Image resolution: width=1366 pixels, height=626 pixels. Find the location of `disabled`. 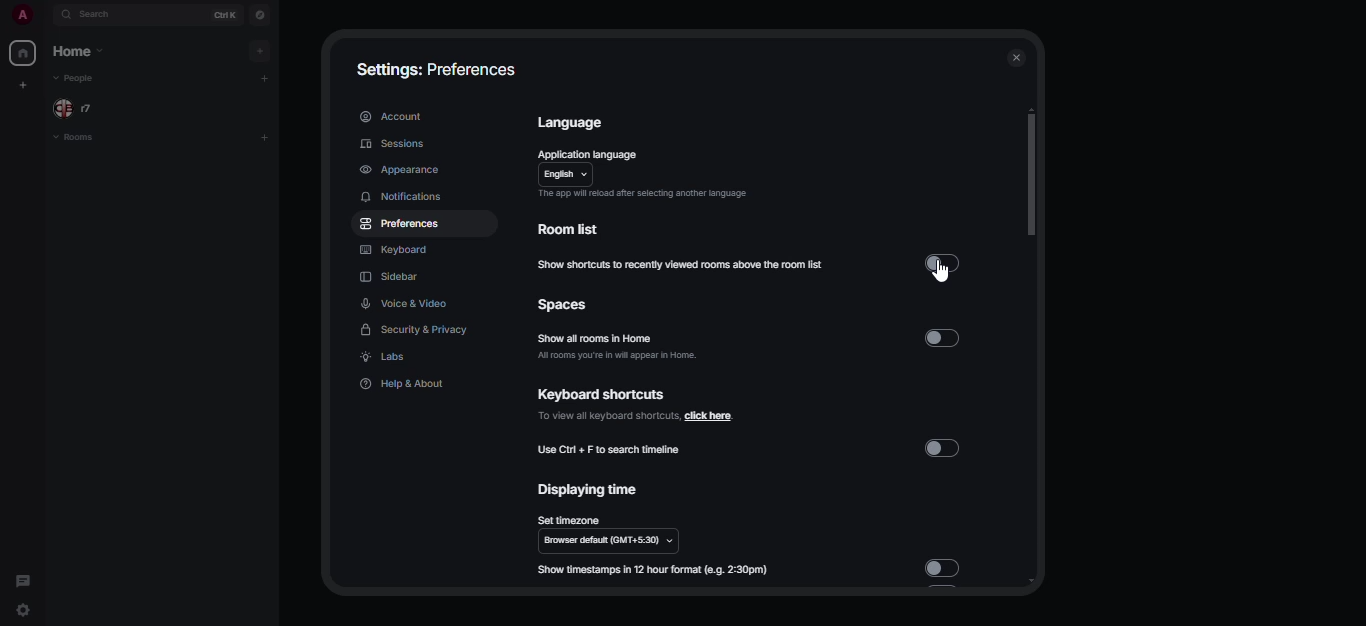

disabled is located at coordinates (947, 339).